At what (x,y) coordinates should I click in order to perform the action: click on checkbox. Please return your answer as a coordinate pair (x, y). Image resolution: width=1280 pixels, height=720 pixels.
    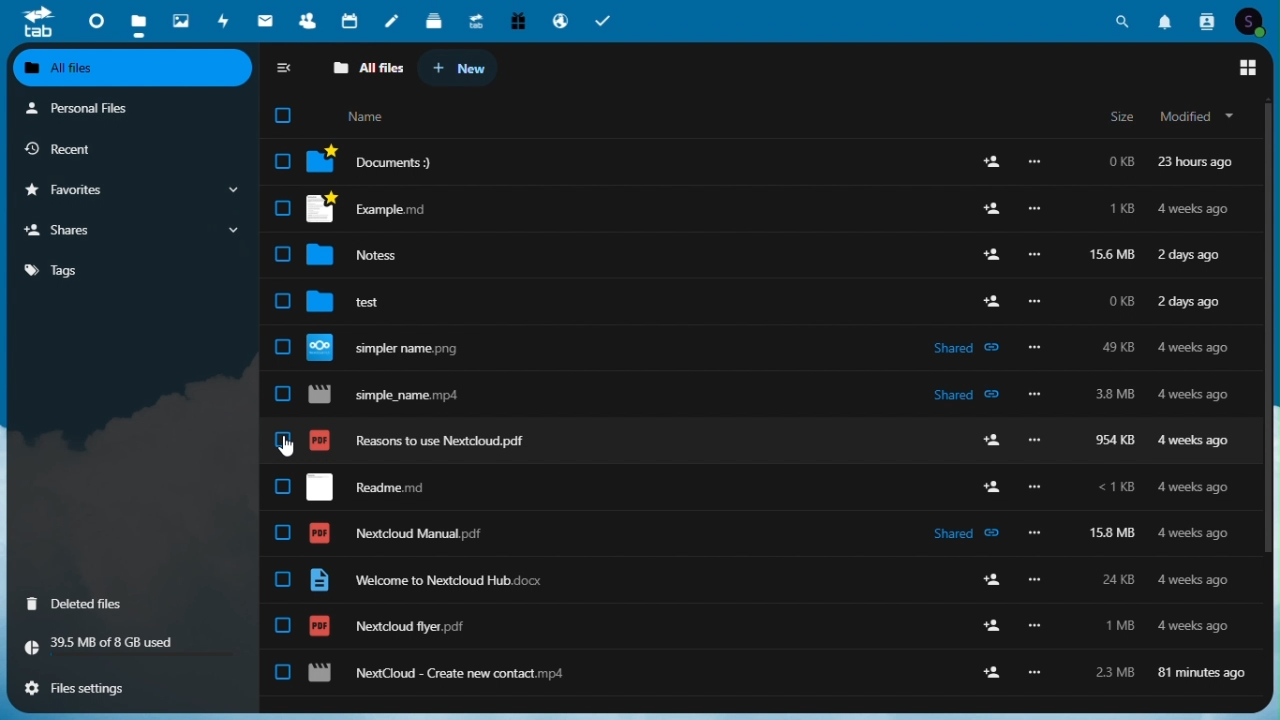
    Looking at the image, I should click on (284, 488).